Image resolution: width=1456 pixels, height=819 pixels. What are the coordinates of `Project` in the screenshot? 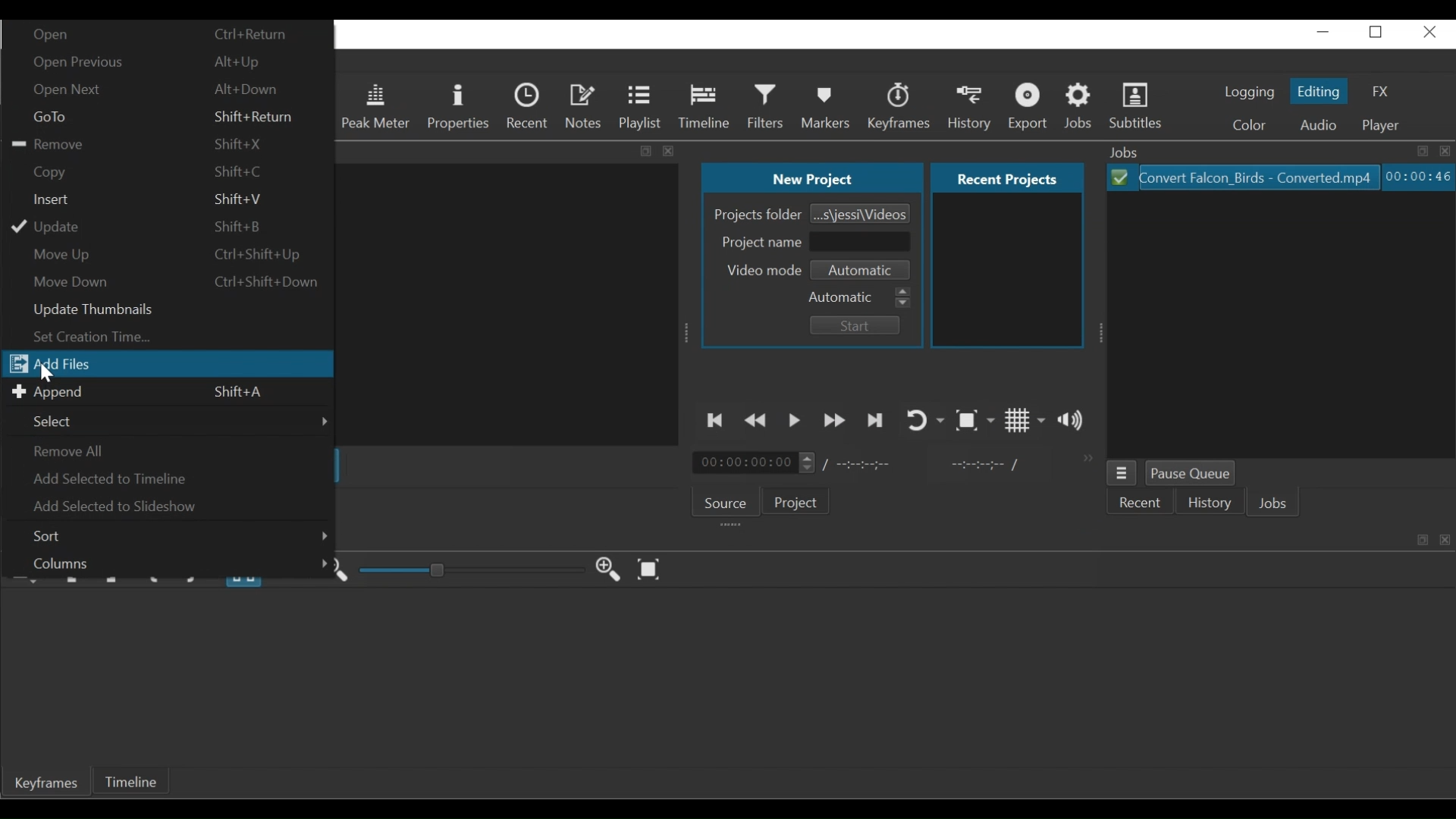 It's located at (799, 501).